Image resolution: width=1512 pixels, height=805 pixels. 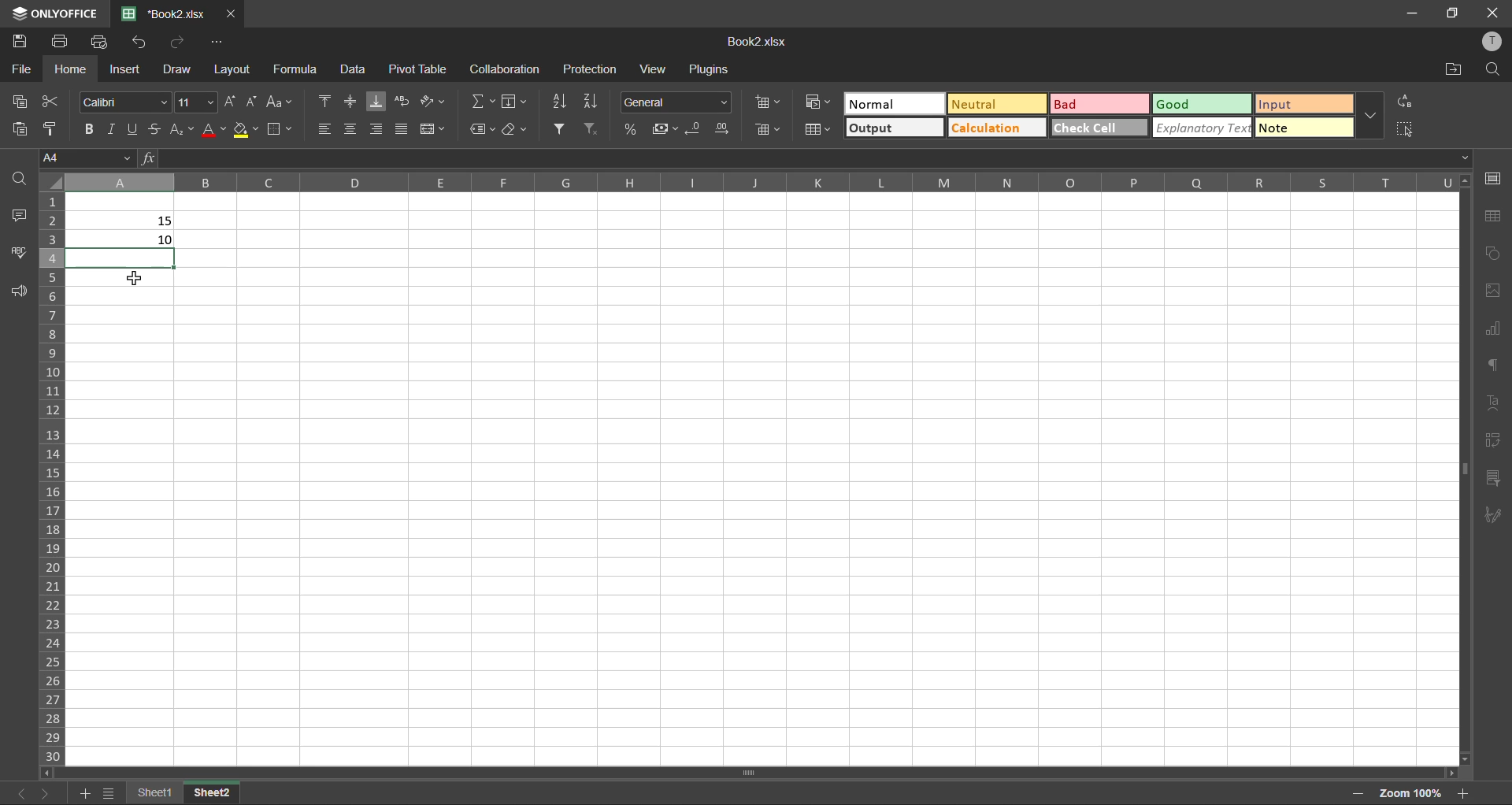 I want to click on 10, so click(x=165, y=240).